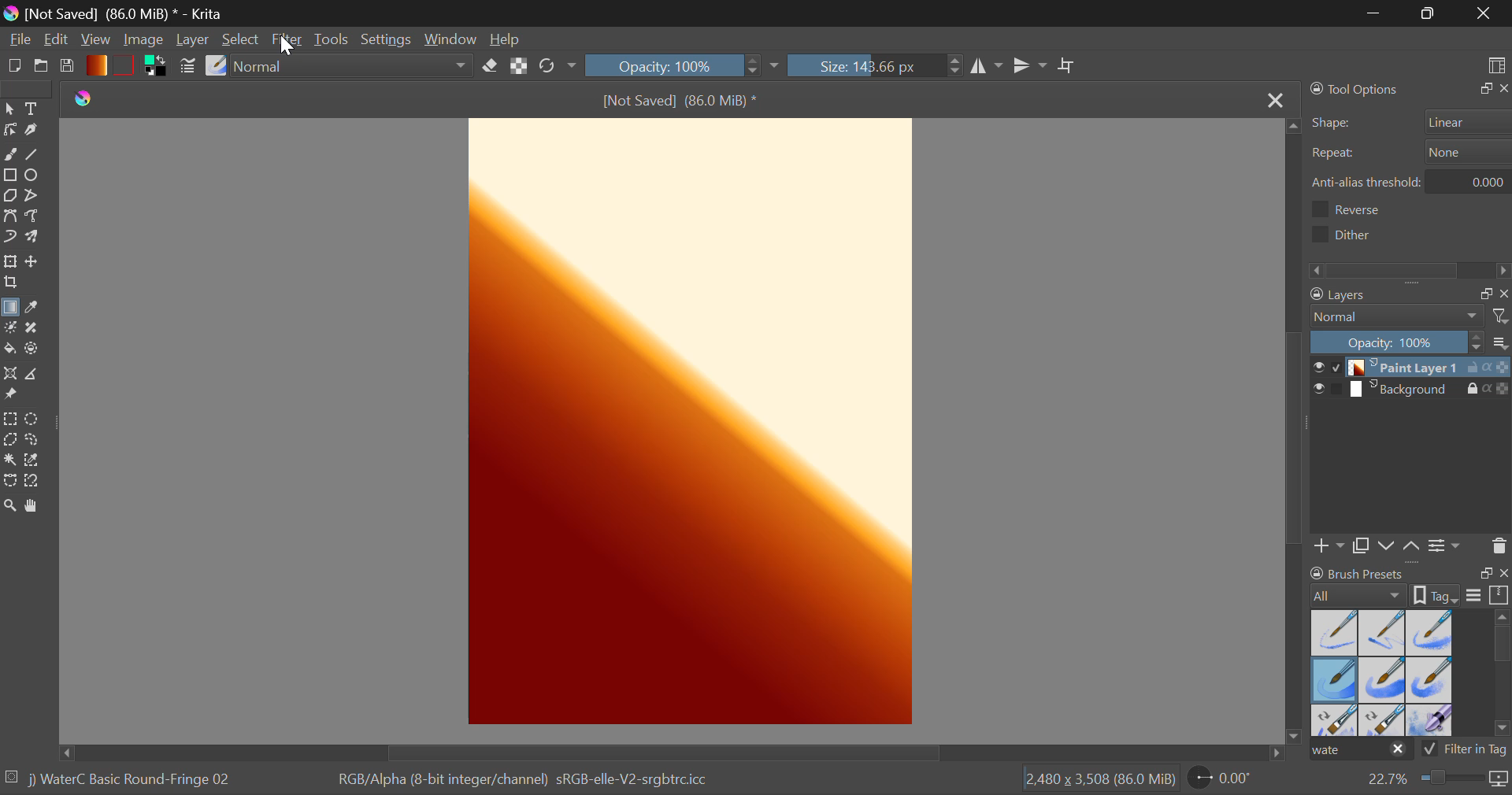 The width and height of the screenshot is (1512, 795). What do you see at coordinates (1464, 152) in the screenshot?
I see `repeat button` at bounding box center [1464, 152].